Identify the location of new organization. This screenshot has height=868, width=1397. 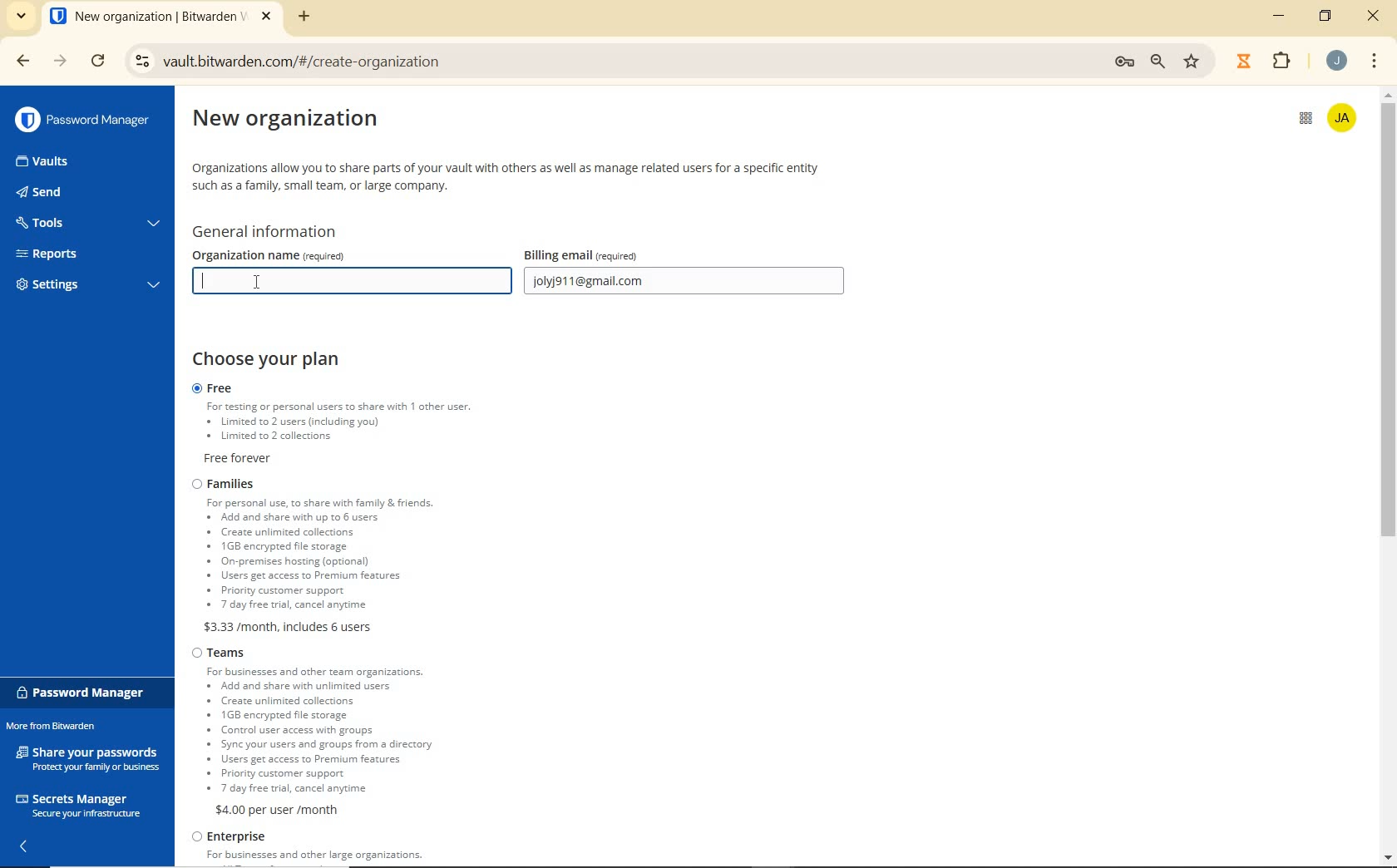
(301, 123).